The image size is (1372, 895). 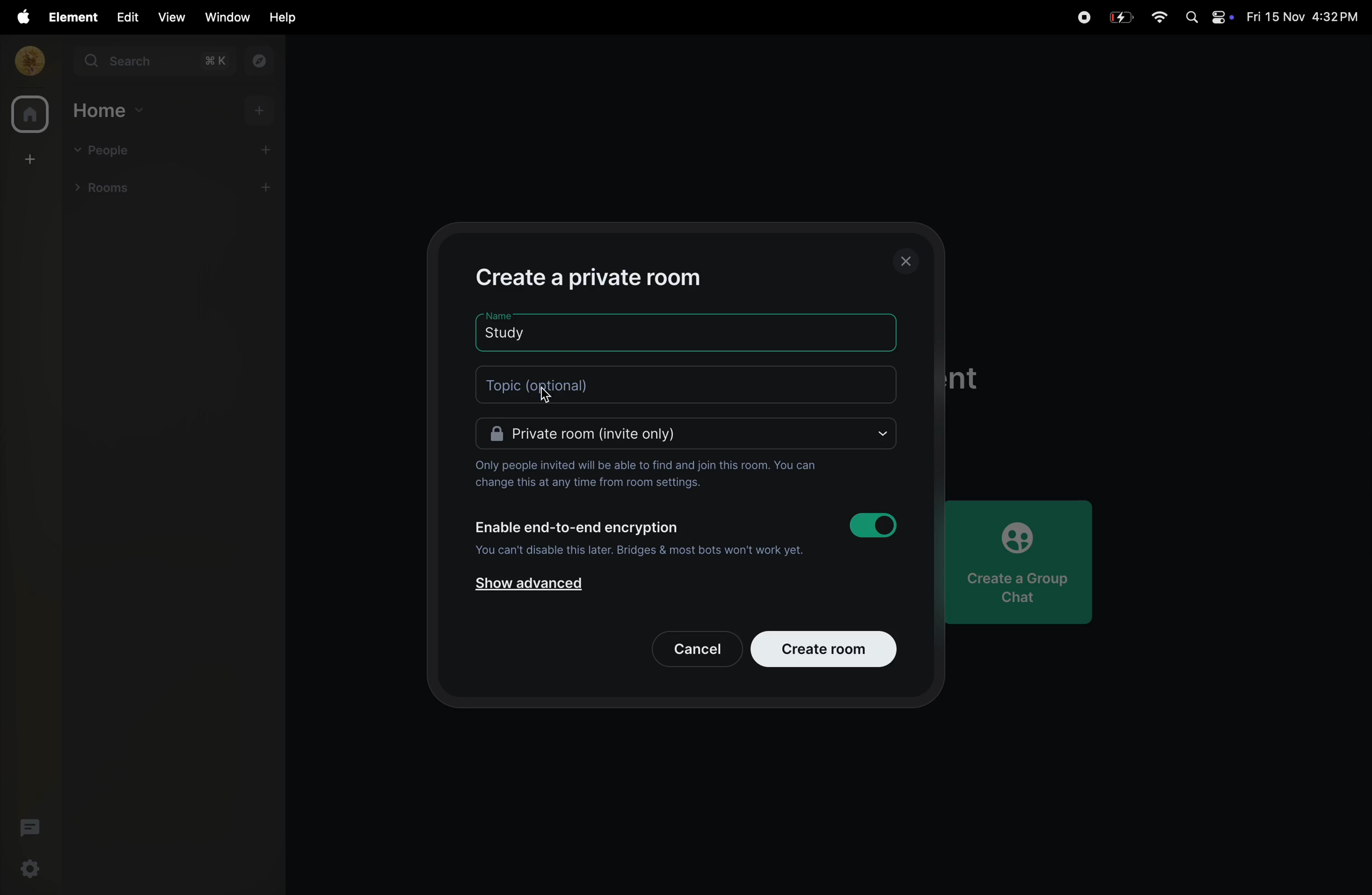 I want to click on wifi, so click(x=1159, y=18).